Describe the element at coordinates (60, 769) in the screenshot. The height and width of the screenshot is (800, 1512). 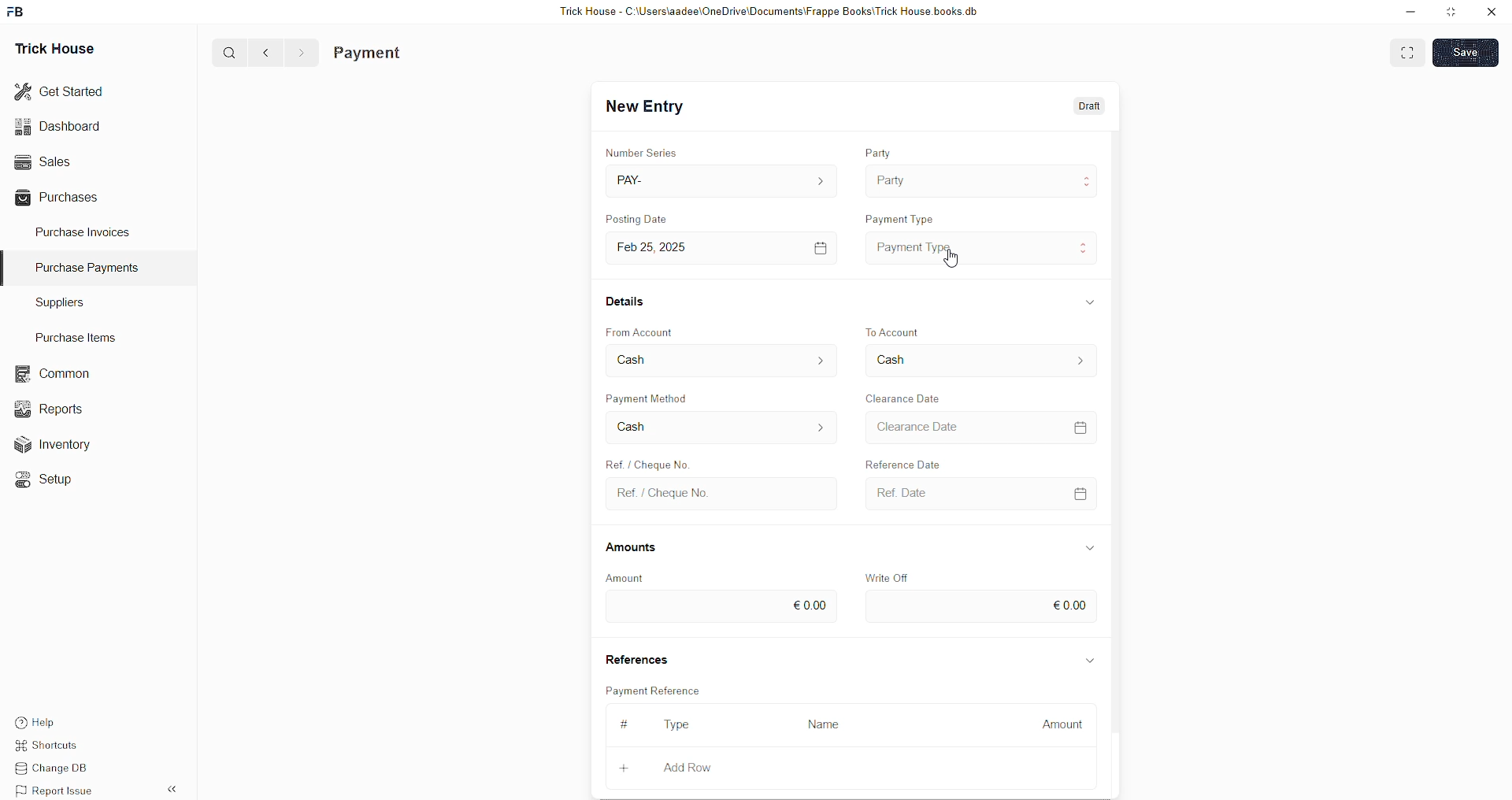
I see `Change DB` at that location.